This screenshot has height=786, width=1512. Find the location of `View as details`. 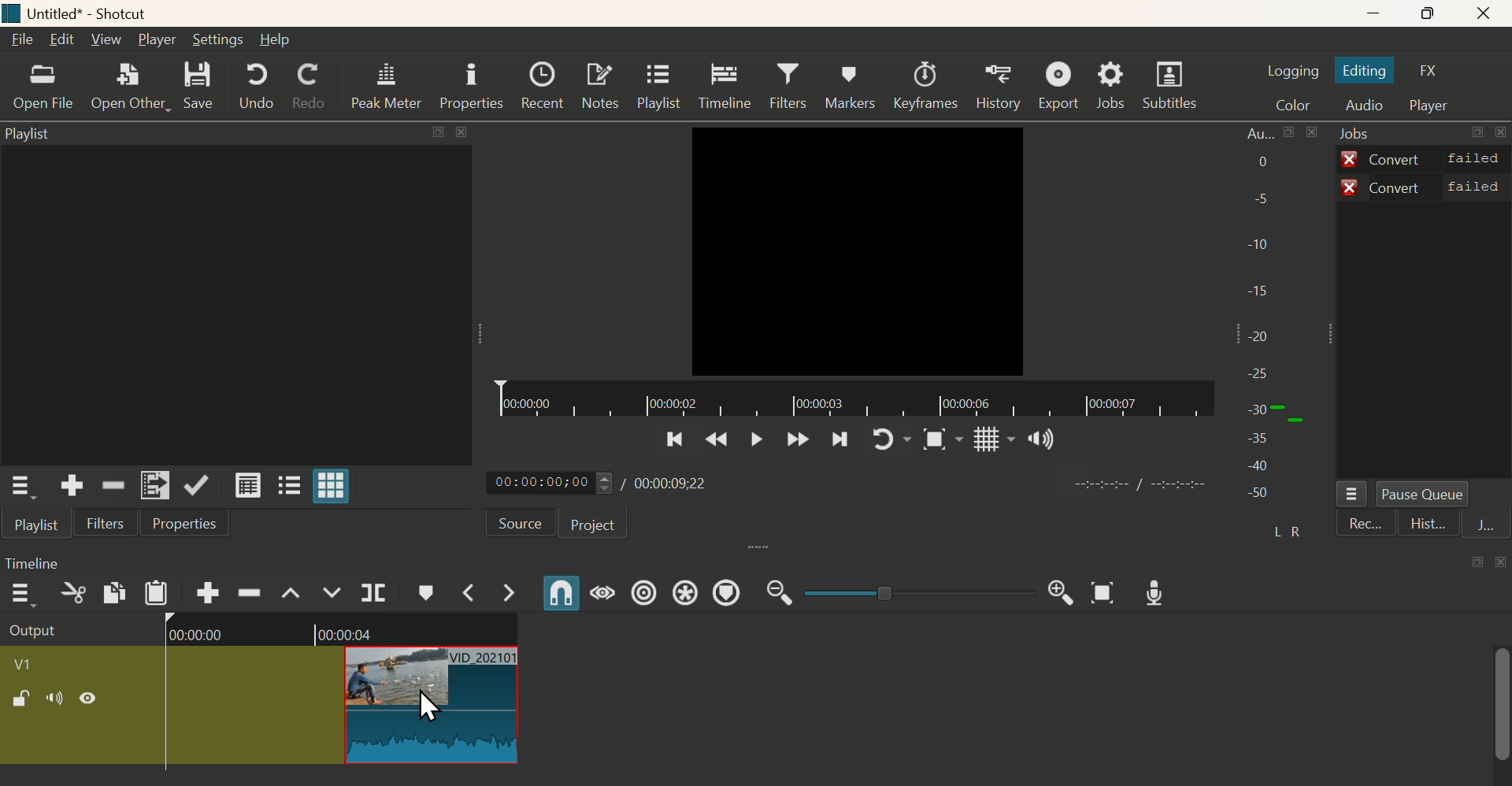

View as details is located at coordinates (250, 487).